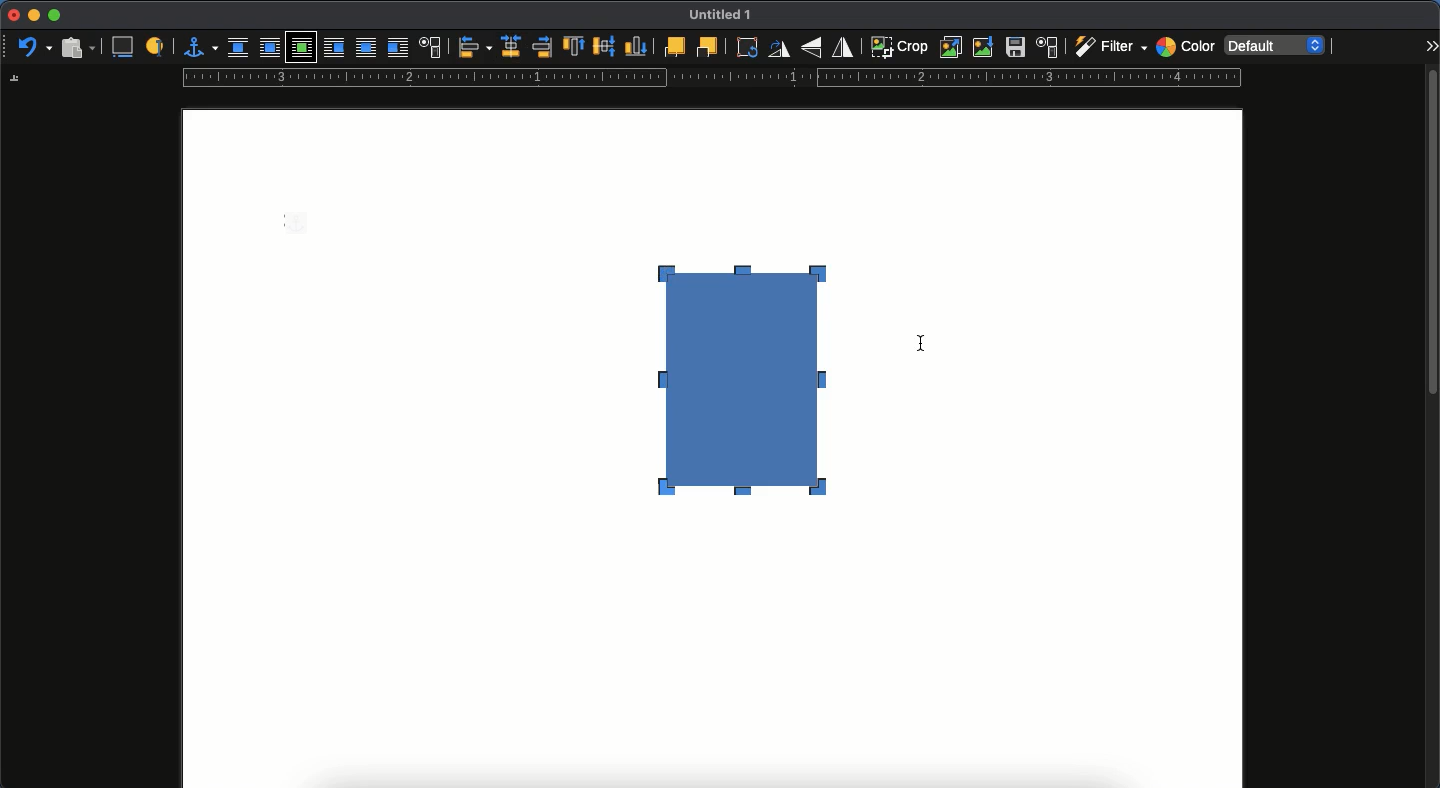  Describe the element at coordinates (1016, 50) in the screenshot. I see `save` at that location.